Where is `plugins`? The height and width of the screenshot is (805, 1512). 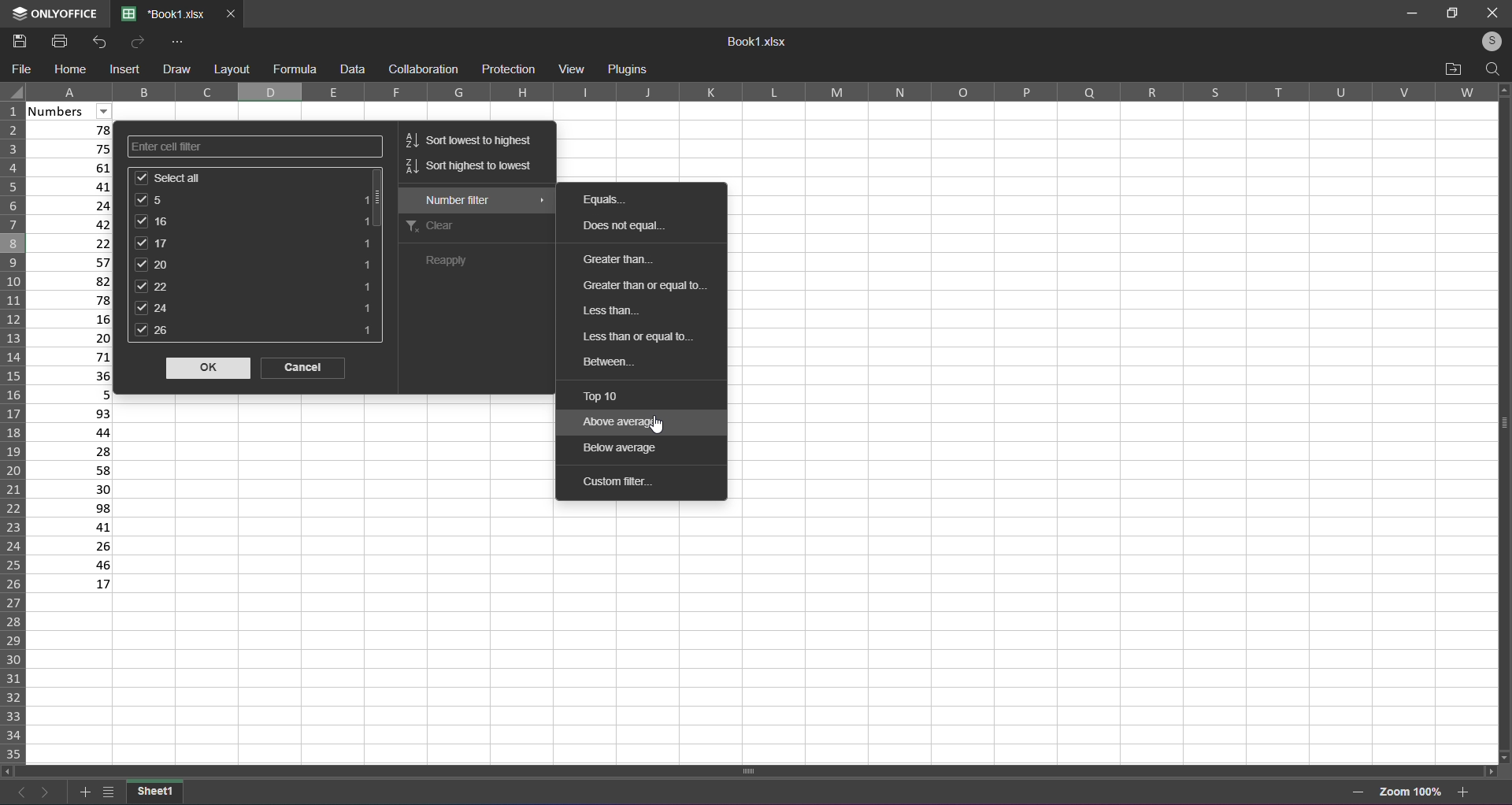 plugins is located at coordinates (628, 70).